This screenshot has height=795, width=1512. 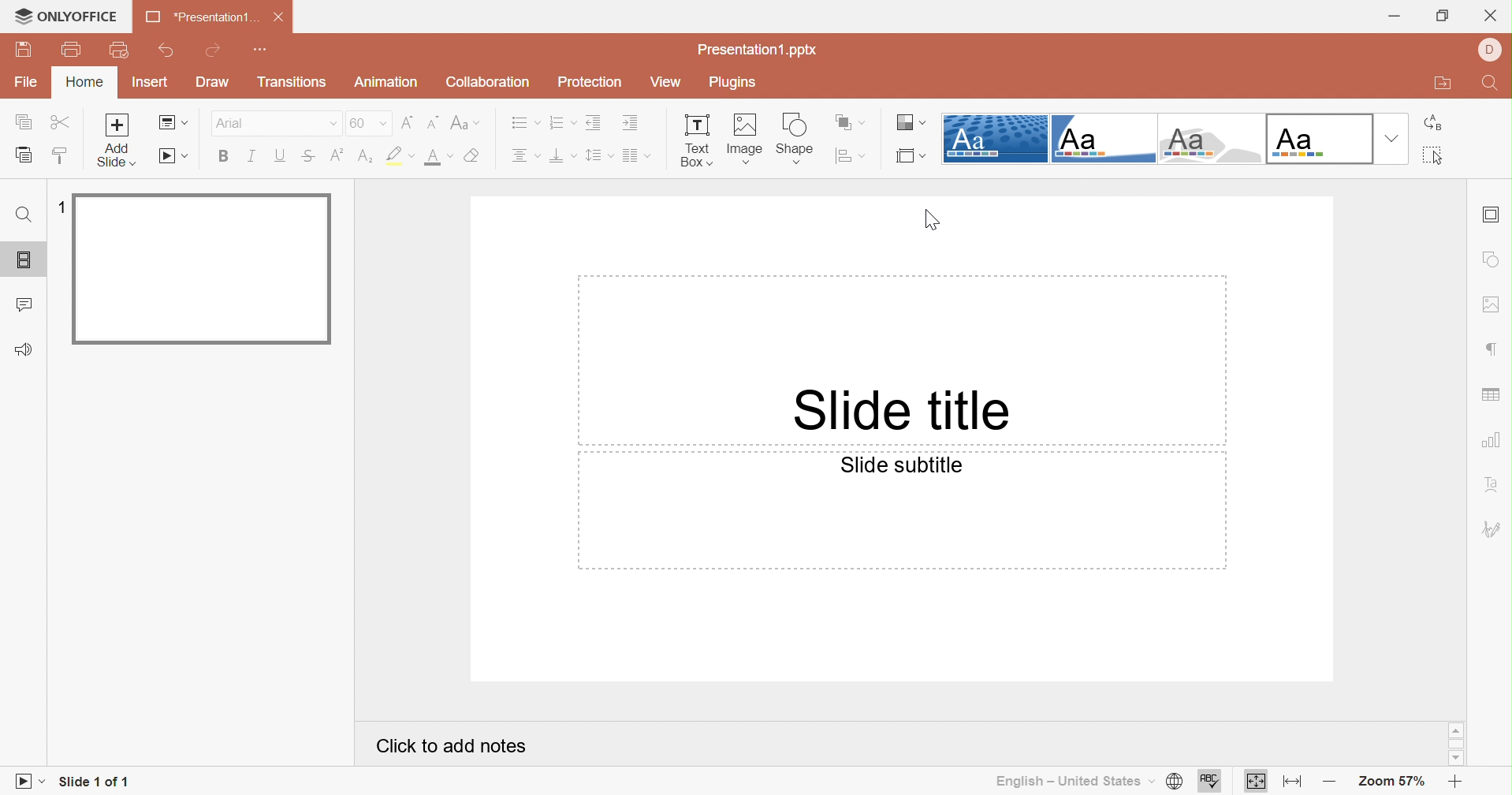 What do you see at coordinates (169, 50) in the screenshot?
I see `Undo` at bounding box center [169, 50].